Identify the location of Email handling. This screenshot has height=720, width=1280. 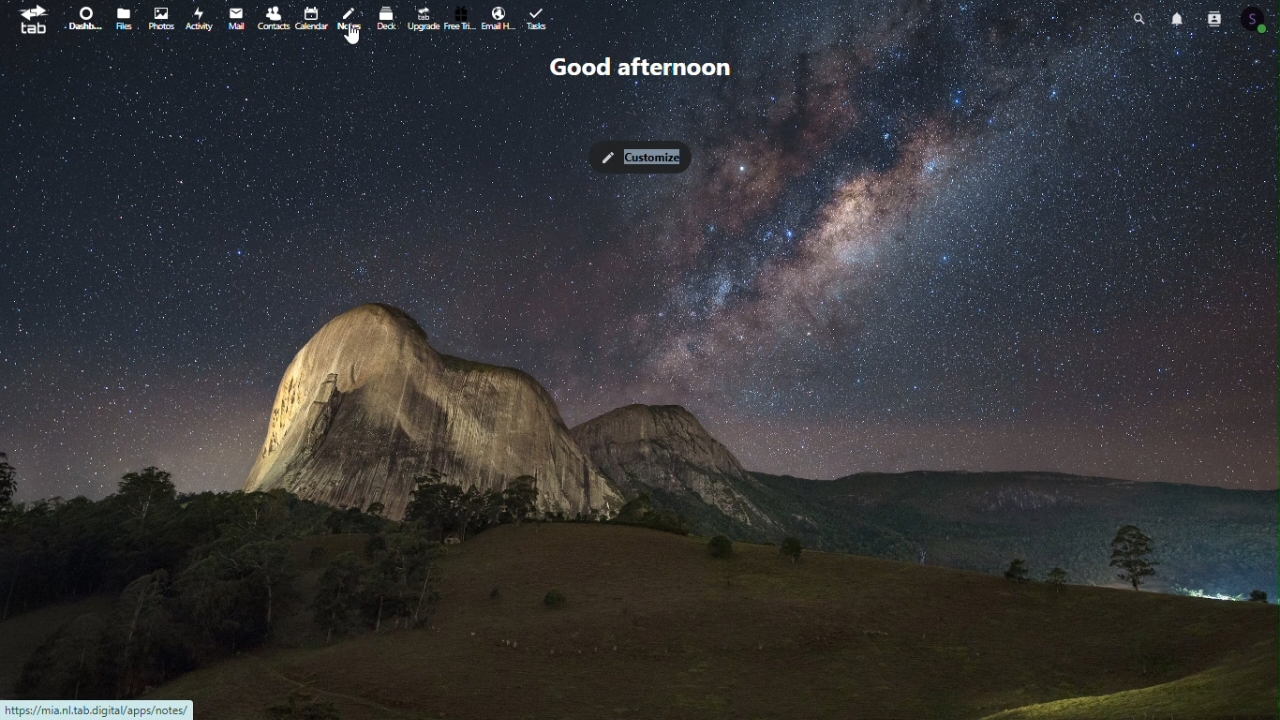
(498, 17).